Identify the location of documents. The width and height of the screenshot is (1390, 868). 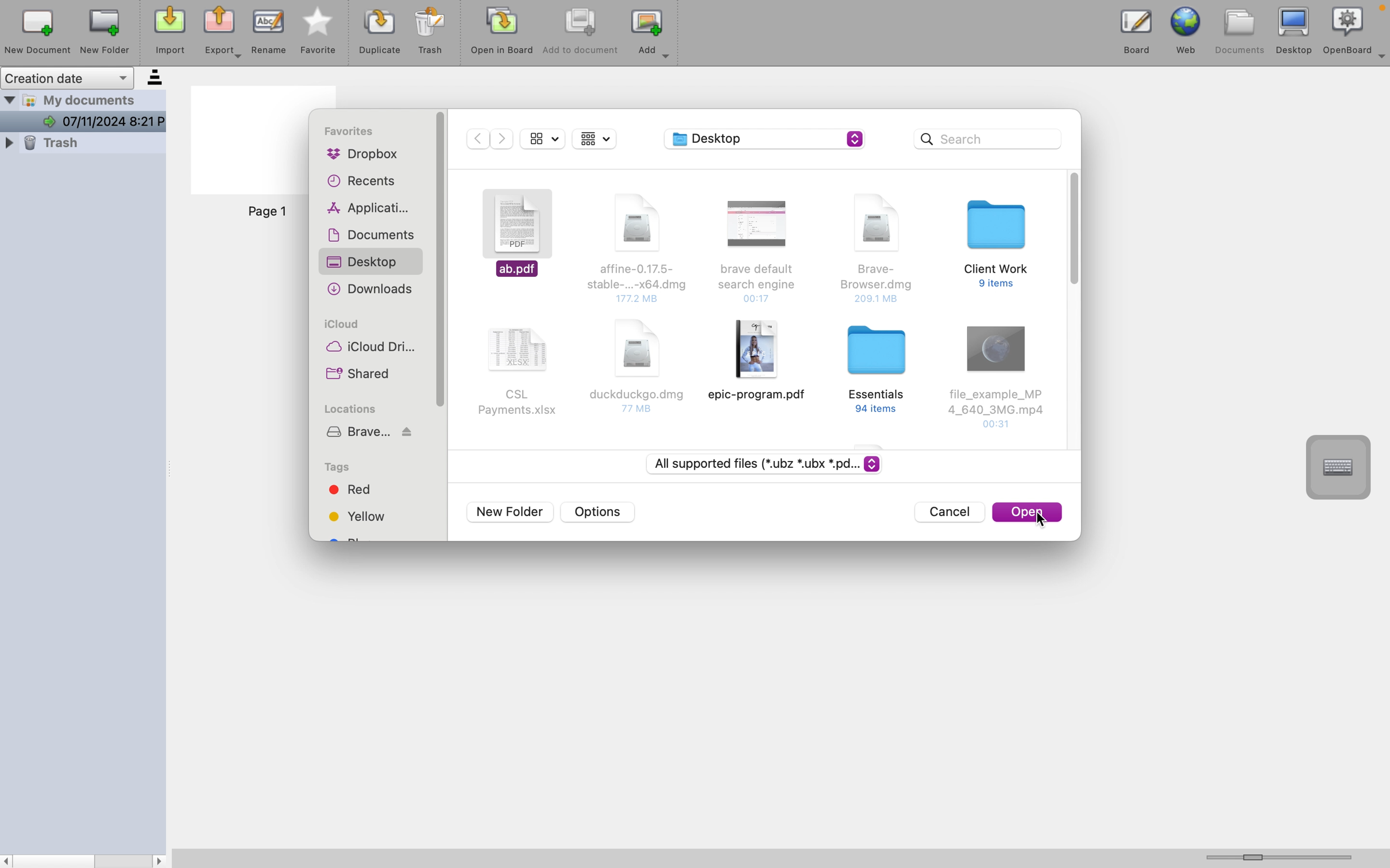
(370, 234).